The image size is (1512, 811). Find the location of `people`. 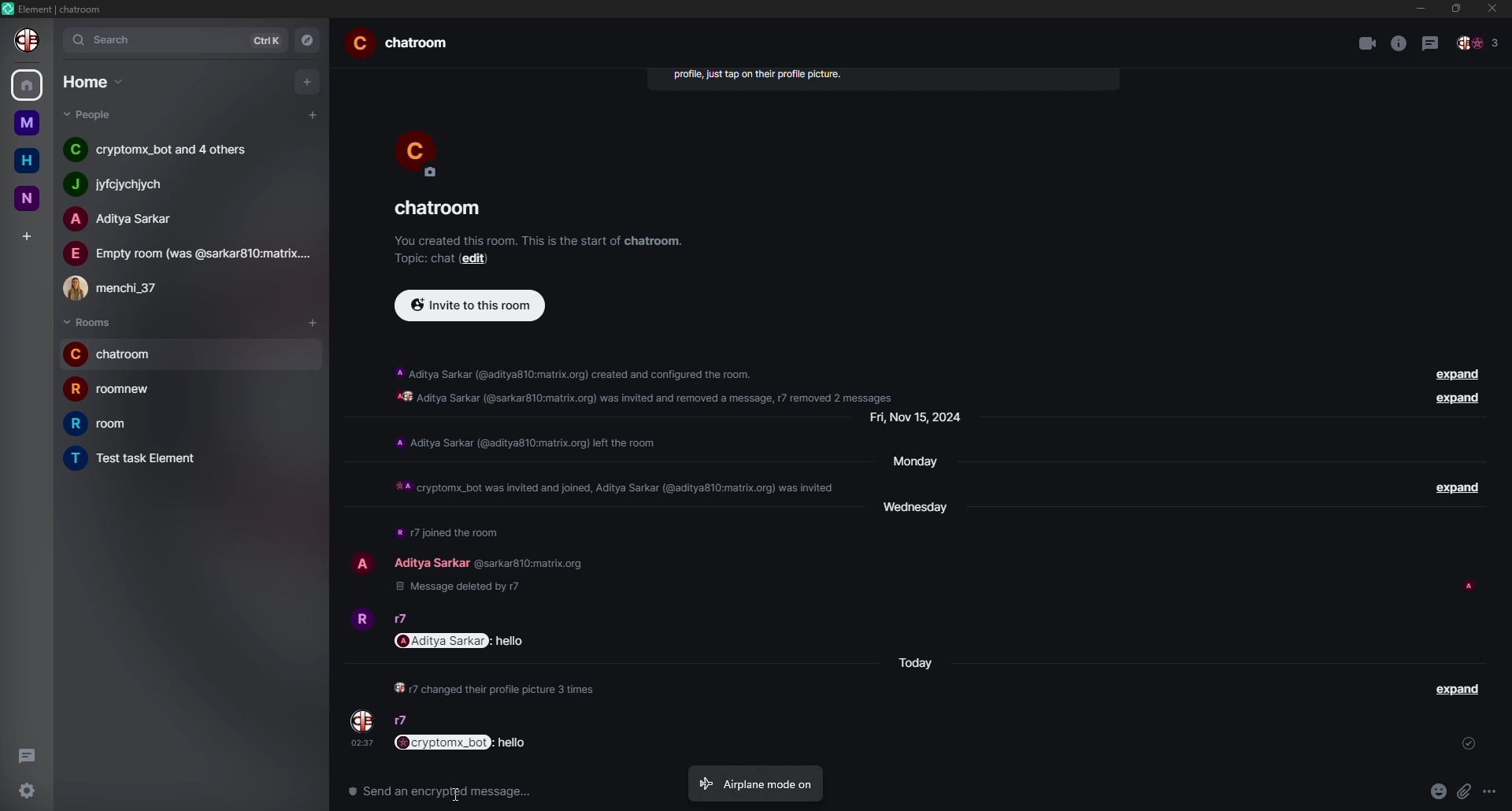

people is located at coordinates (1477, 43).